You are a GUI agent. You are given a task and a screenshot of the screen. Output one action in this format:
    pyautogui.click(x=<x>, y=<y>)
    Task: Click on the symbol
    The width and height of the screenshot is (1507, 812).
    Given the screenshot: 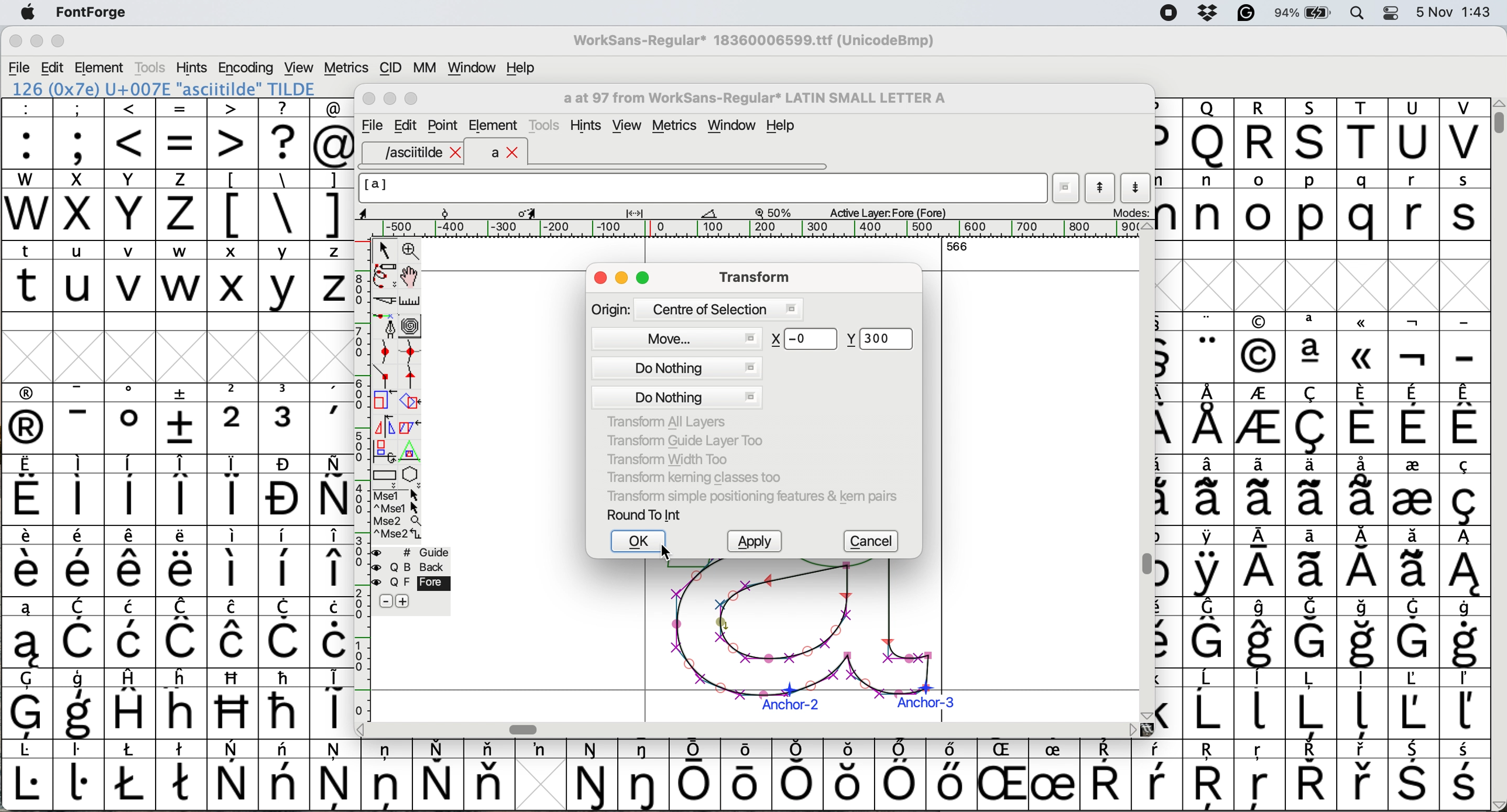 What is the action you would take?
    pyautogui.click(x=1260, y=563)
    